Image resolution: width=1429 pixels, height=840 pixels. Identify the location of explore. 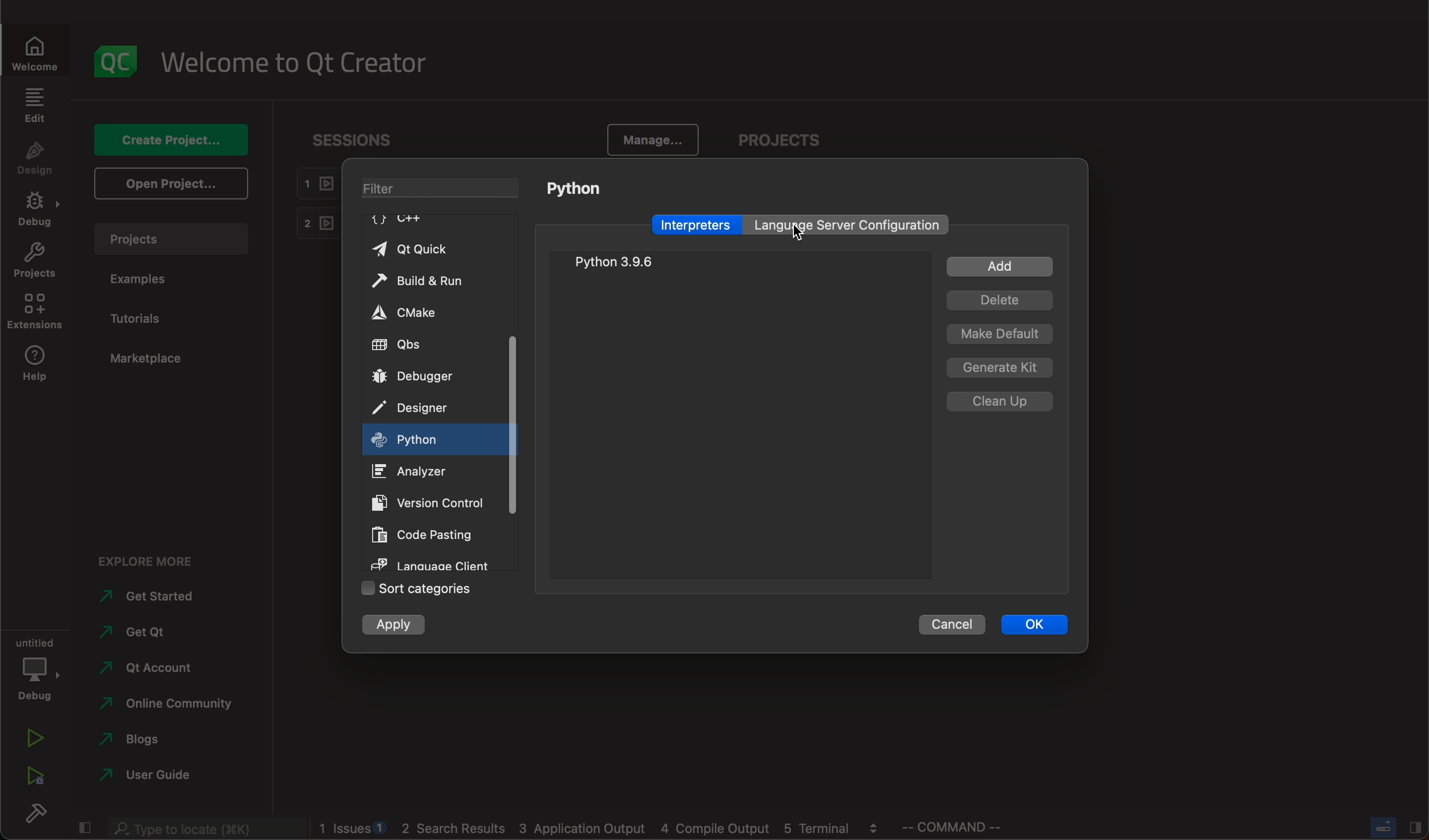
(147, 563).